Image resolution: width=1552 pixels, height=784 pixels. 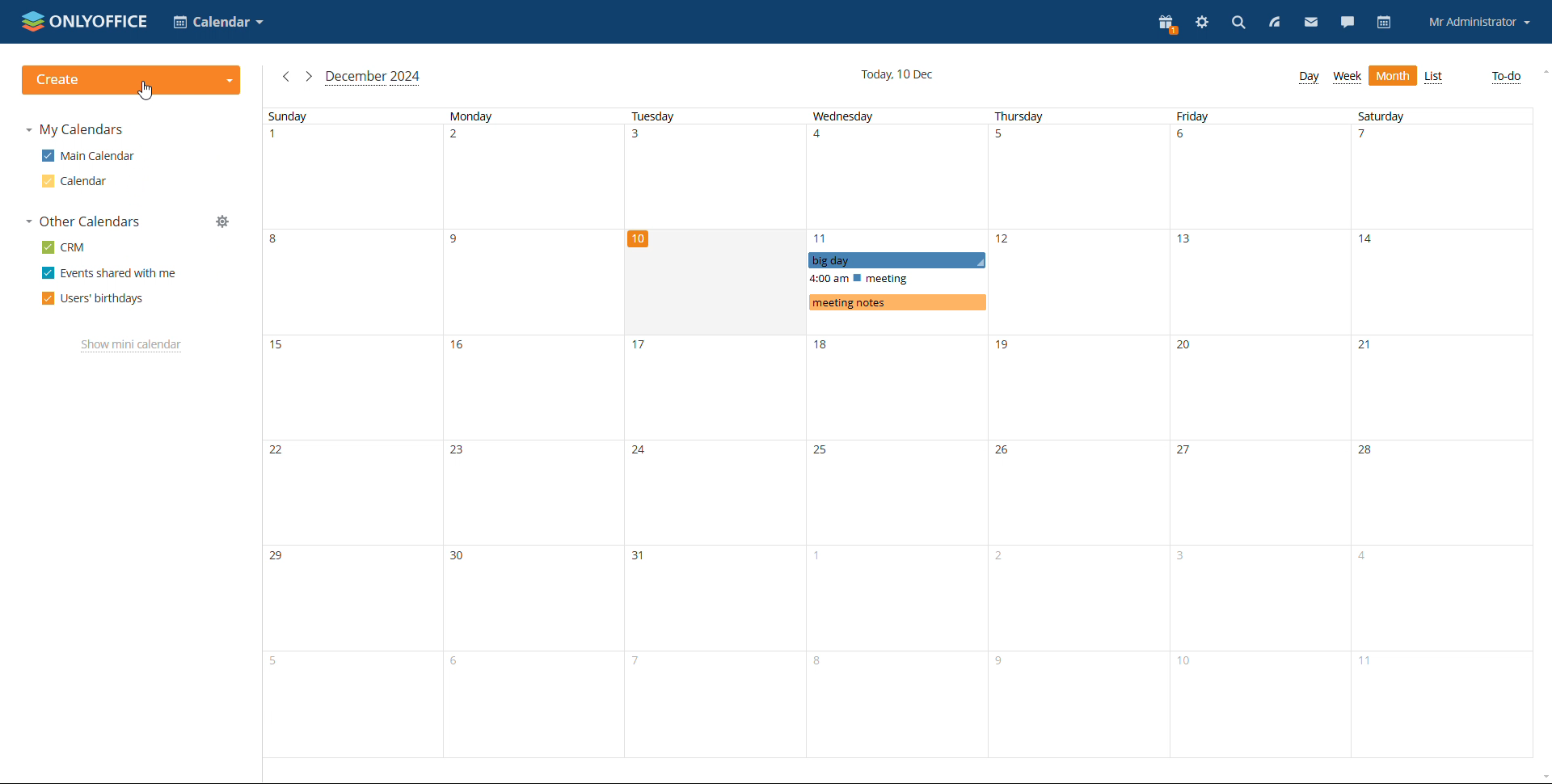 What do you see at coordinates (1200, 22) in the screenshot?
I see `settings` at bounding box center [1200, 22].